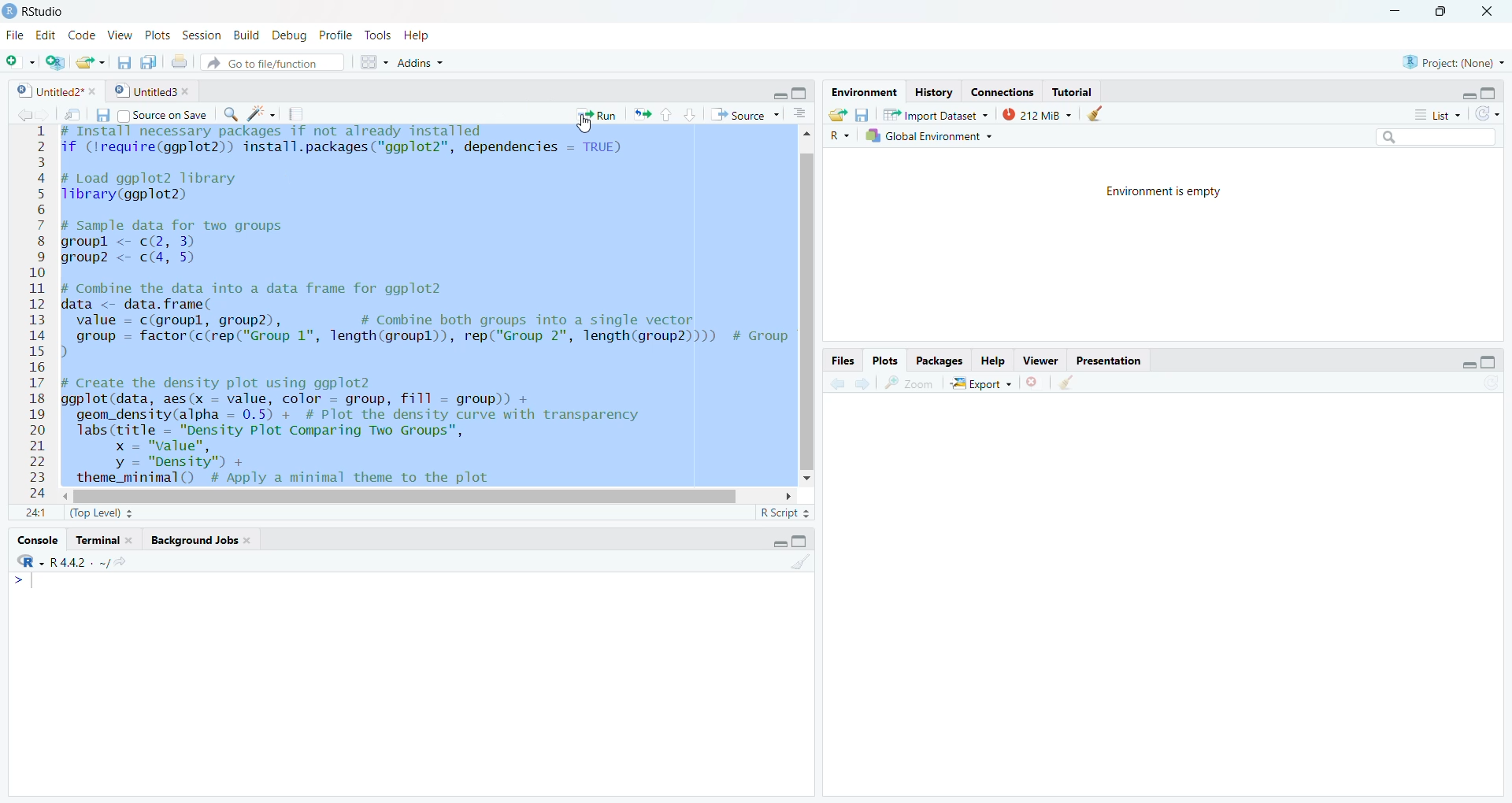 This screenshot has width=1512, height=803. I want to click on new file, so click(19, 60).